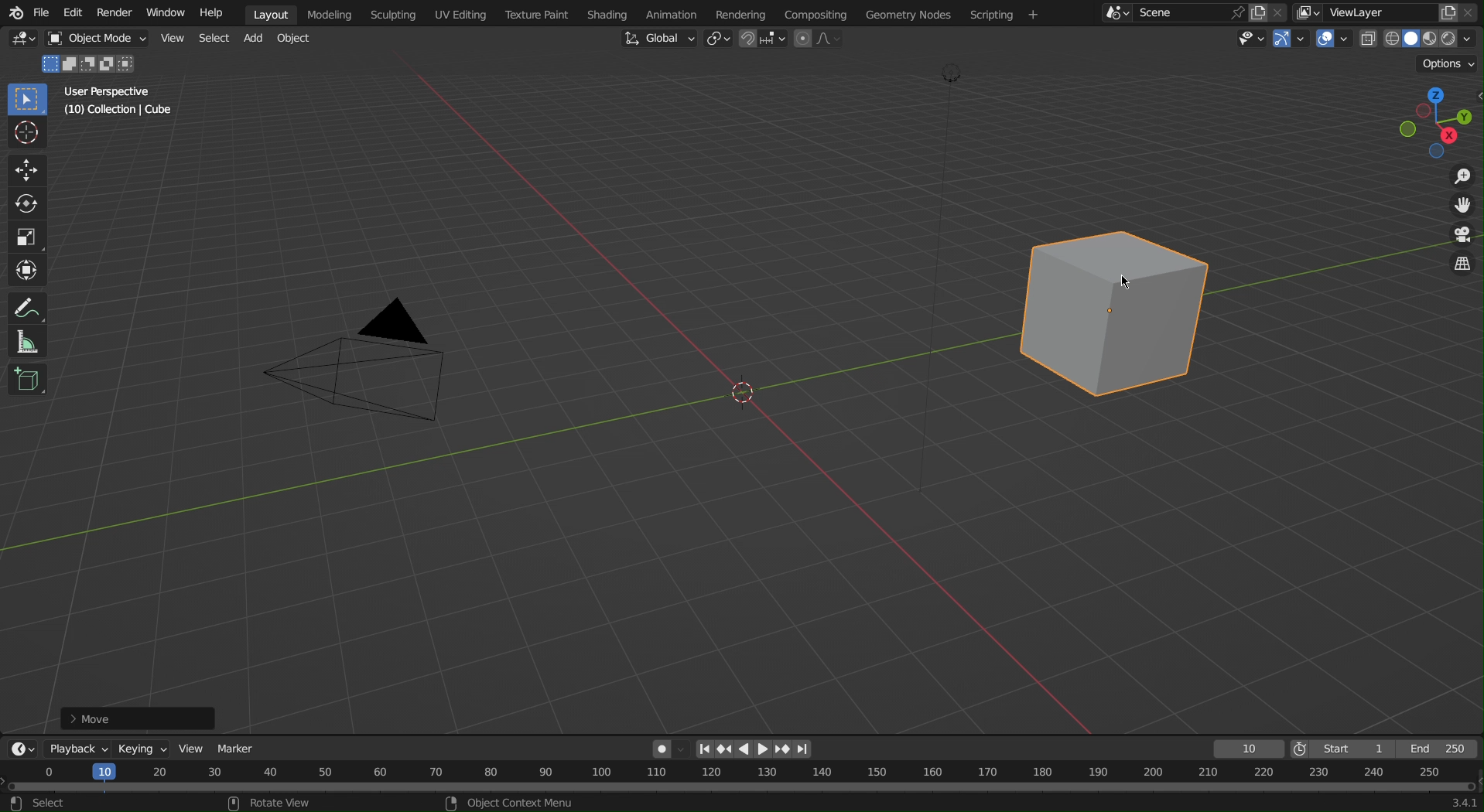  What do you see at coordinates (1115, 12) in the screenshot?
I see `More Scene` at bounding box center [1115, 12].